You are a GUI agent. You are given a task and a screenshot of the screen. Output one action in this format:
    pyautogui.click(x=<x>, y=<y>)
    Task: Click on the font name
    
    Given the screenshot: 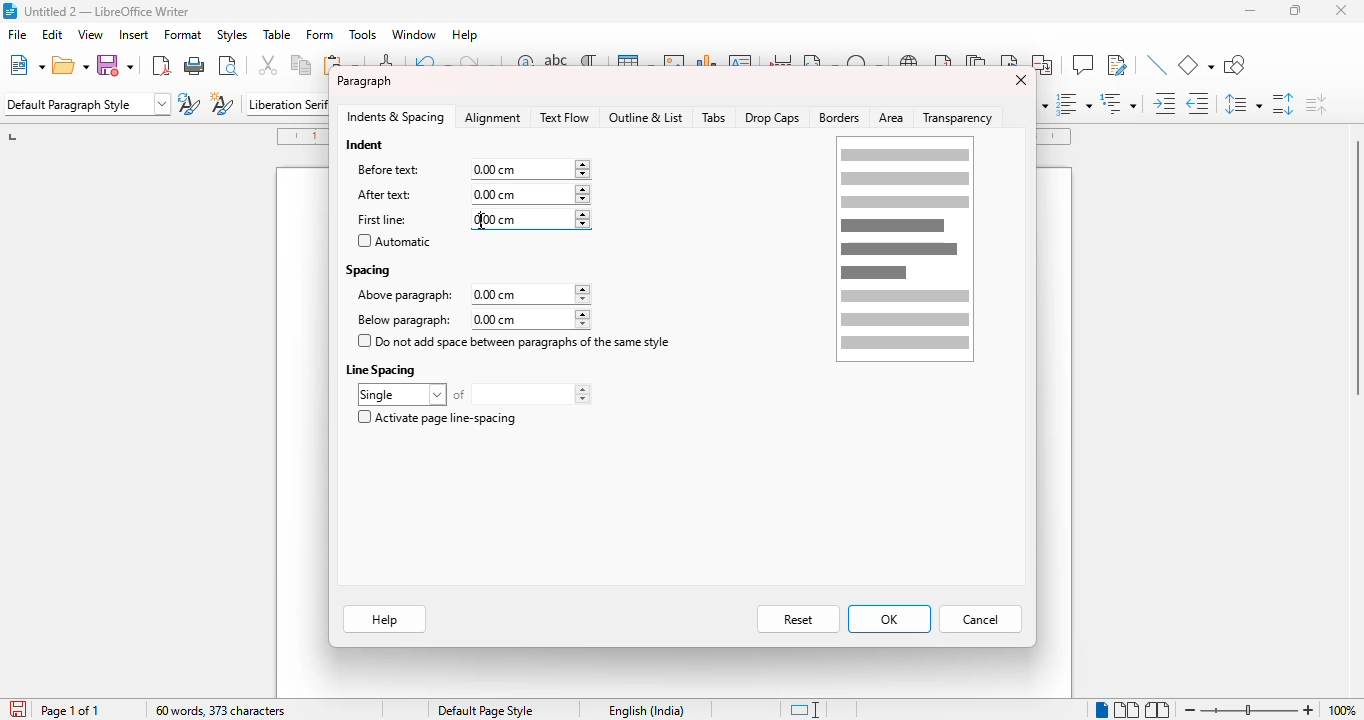 What is the action you would take?
    pyautogui.click(x=286, y=103)
    